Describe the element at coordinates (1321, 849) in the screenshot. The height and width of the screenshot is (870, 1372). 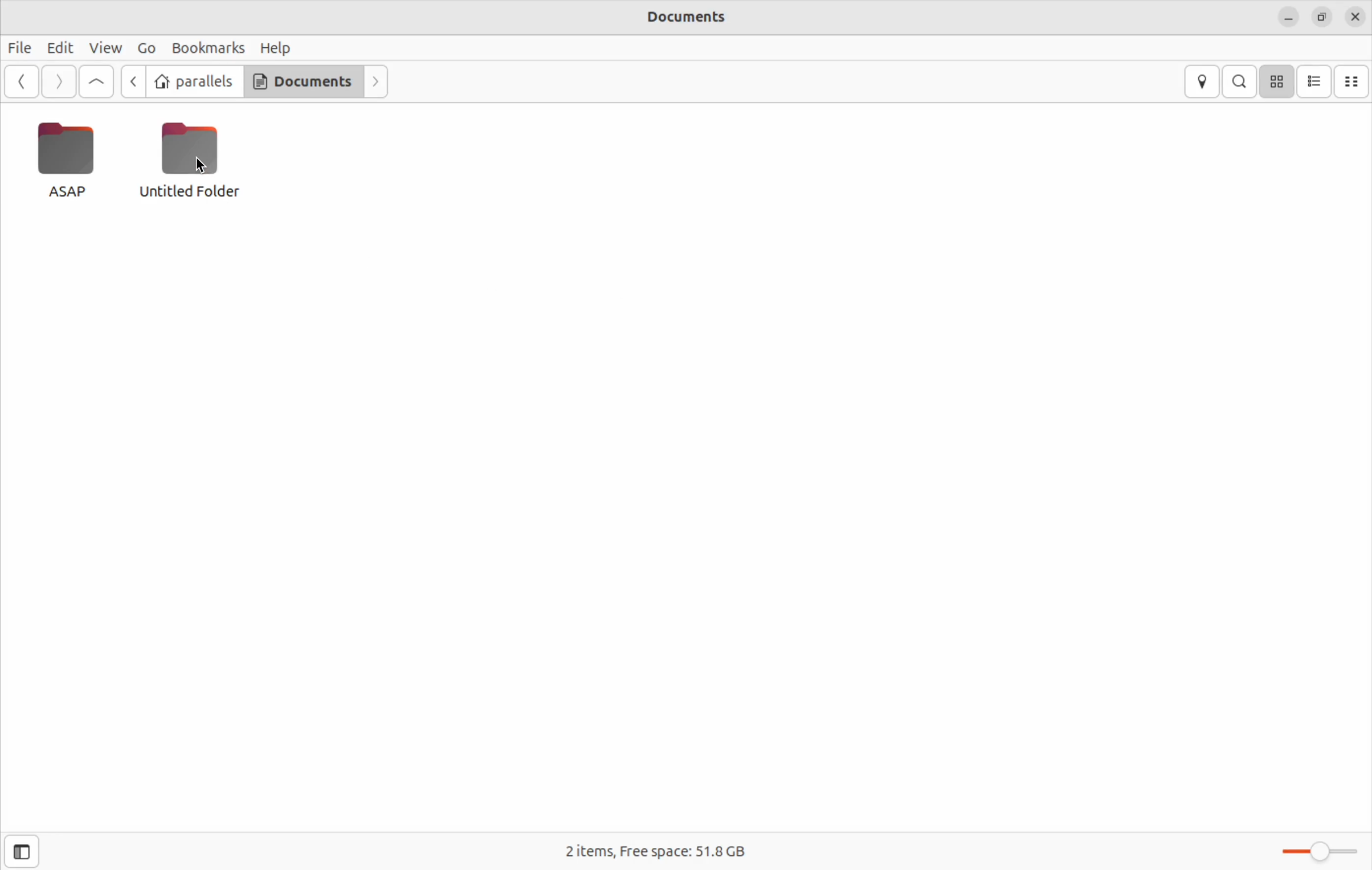
I see `Zoom` at that location.